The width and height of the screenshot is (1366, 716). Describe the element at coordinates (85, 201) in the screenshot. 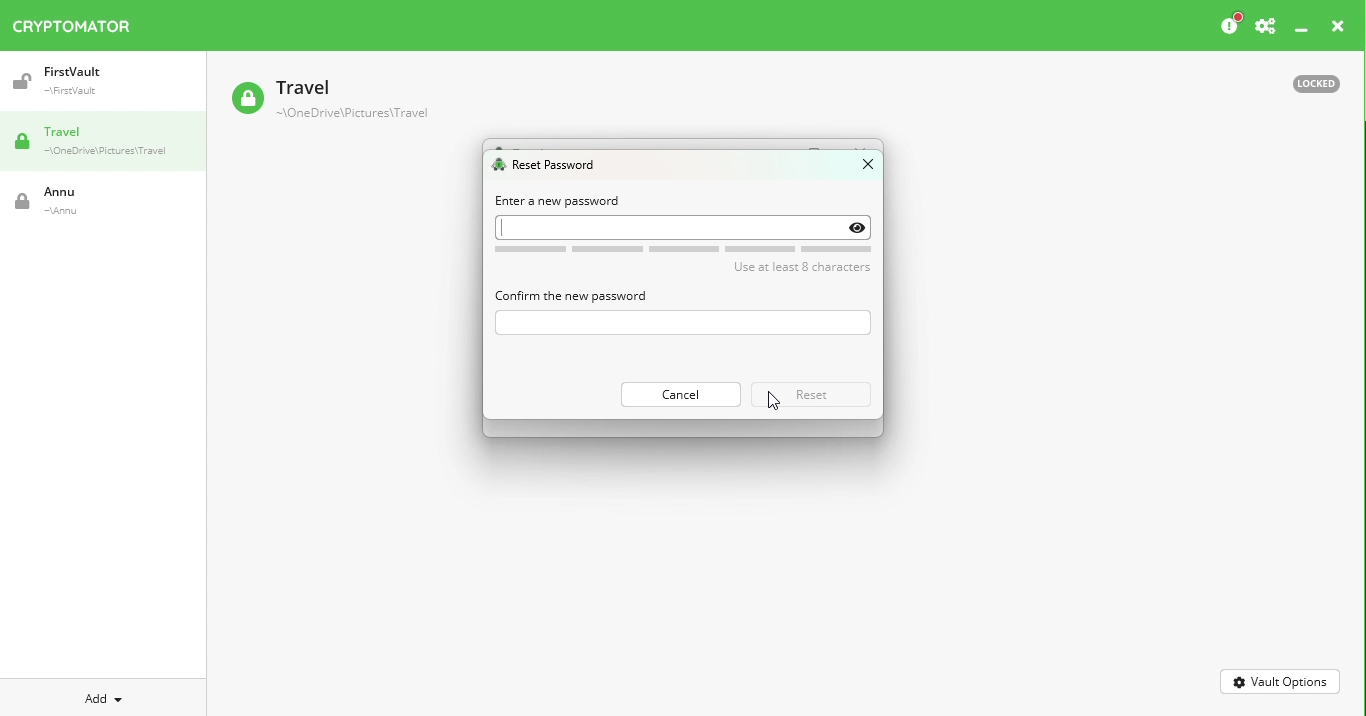

I see `Vault` at that location.